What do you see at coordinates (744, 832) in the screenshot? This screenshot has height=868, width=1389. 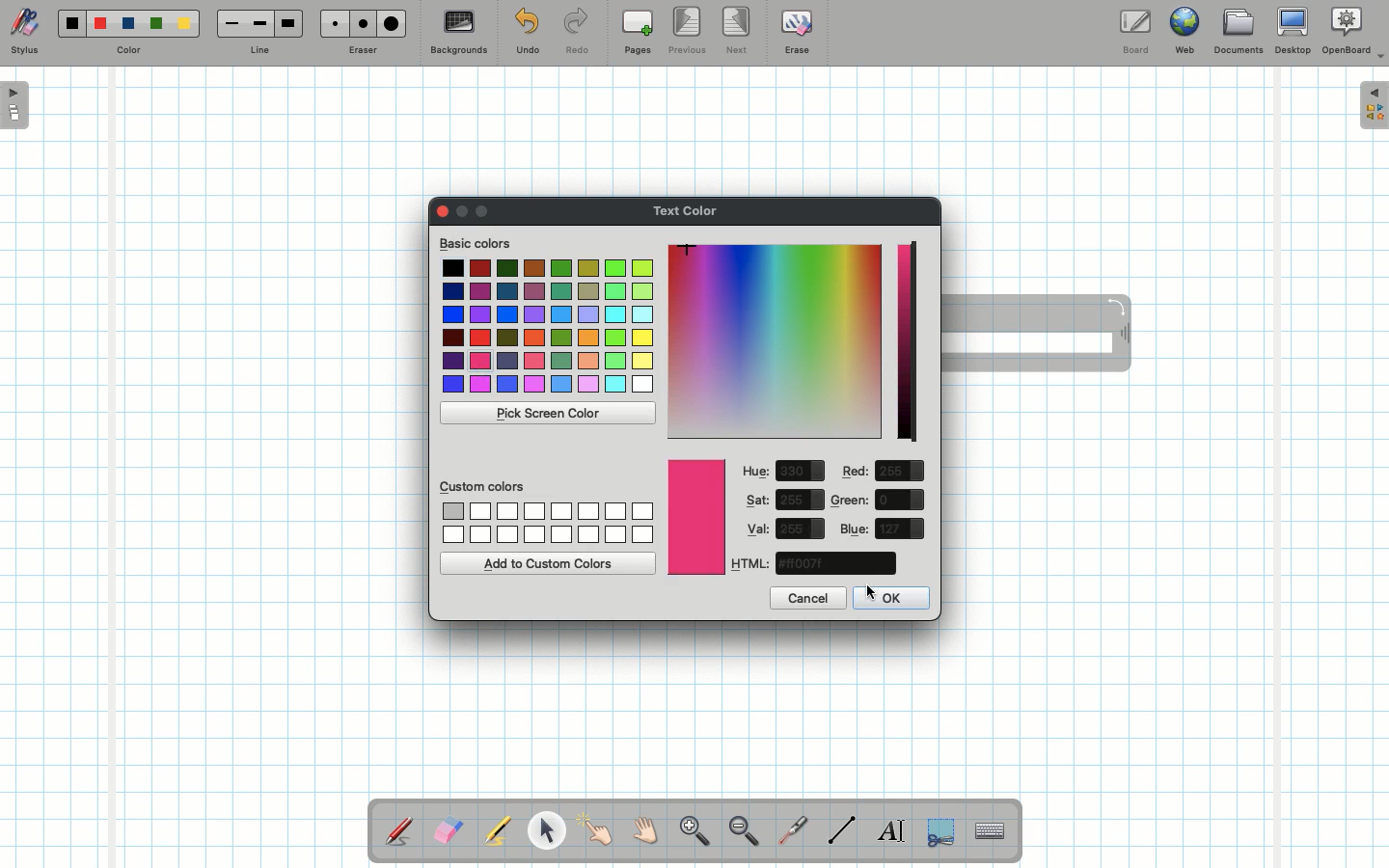 I see `Zoom out` at bounding box center [744, 832].